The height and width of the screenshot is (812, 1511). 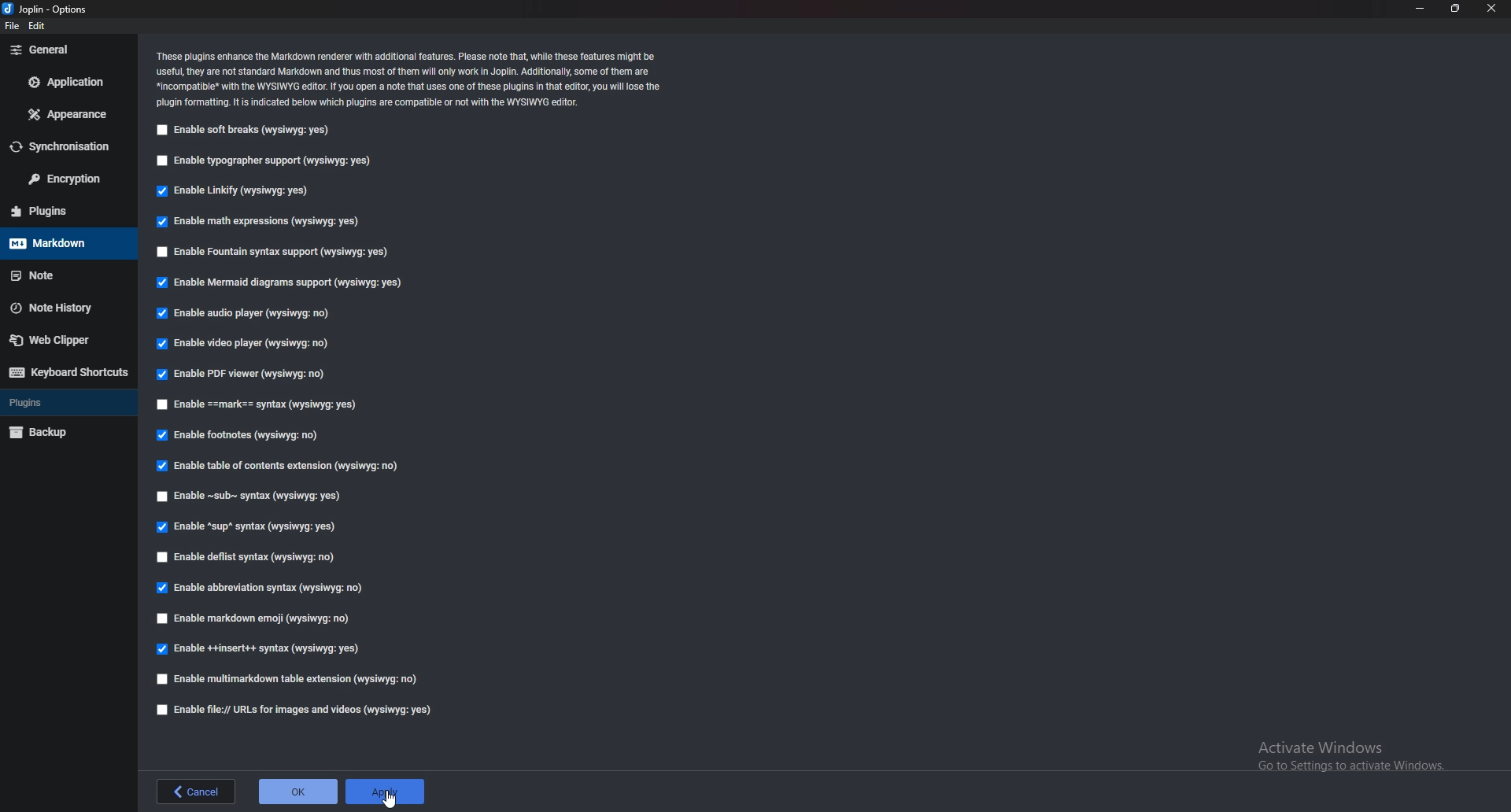 I want to click on Joblin - options (logo and name), so click(x=43, y=9).